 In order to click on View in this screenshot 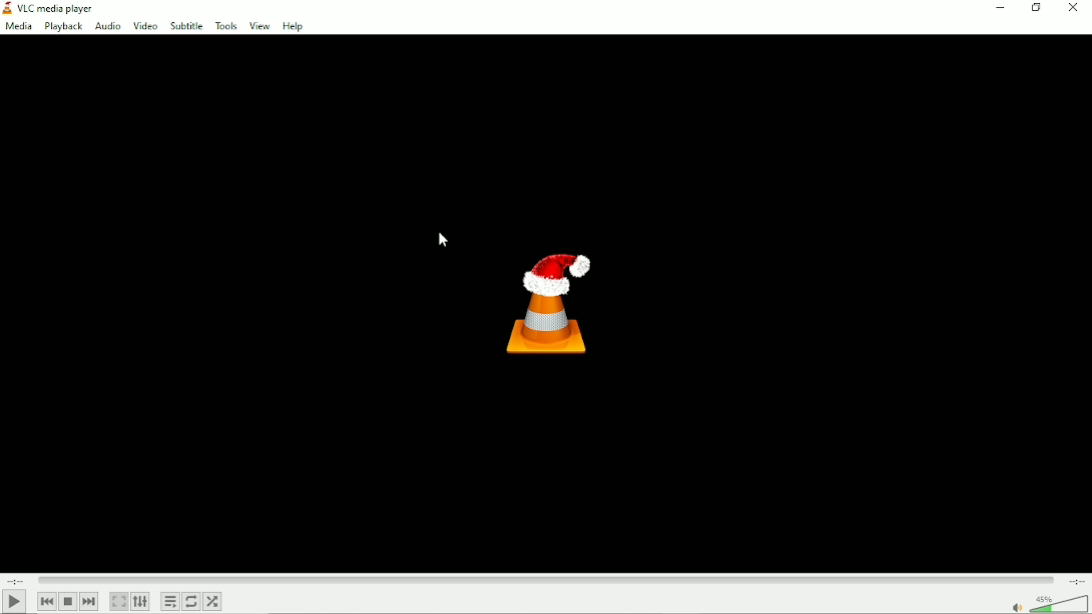, I will do `click(258, 27)`.